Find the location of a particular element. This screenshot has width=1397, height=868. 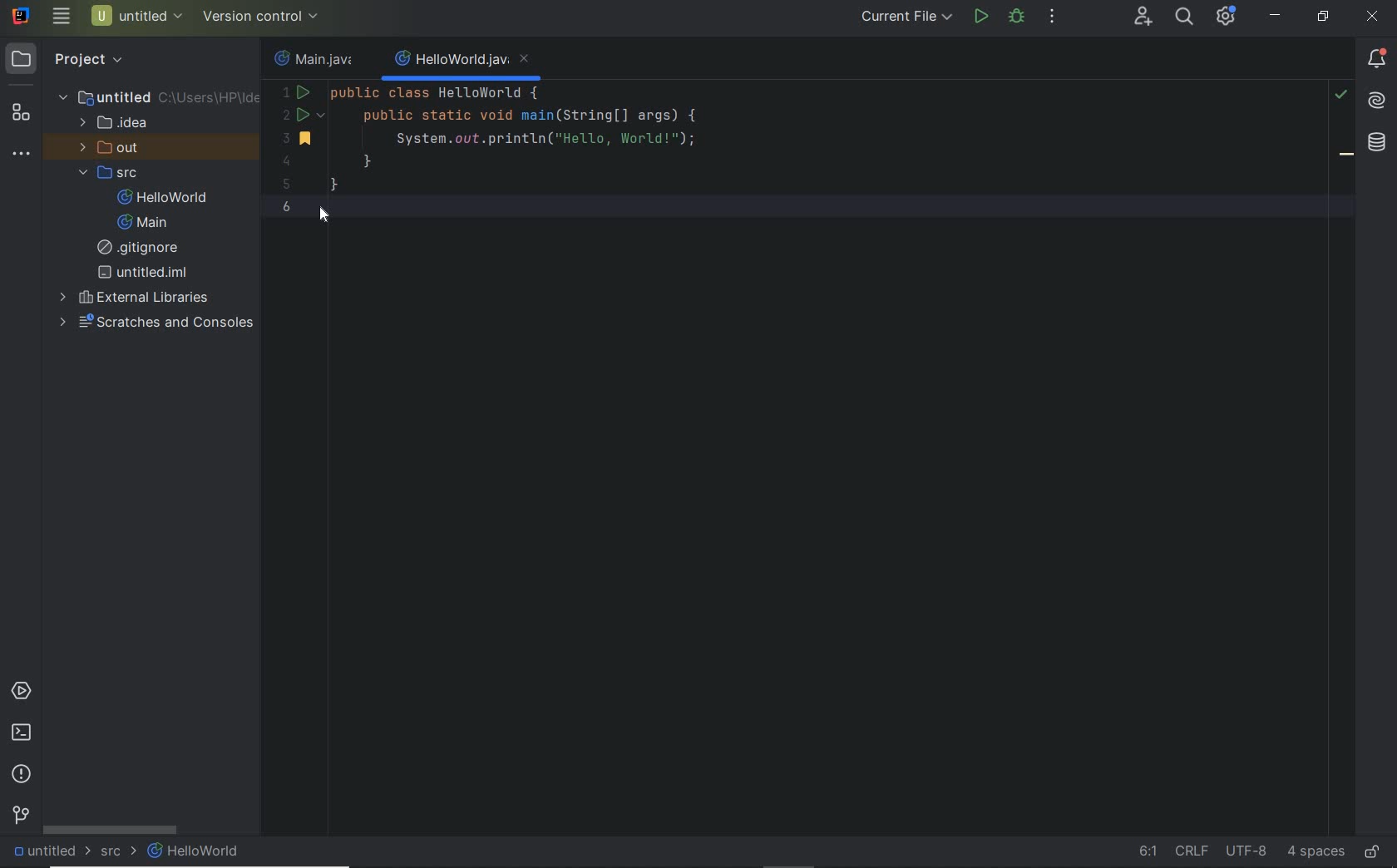

run/debug configurations is located at coordinates (909, 17).